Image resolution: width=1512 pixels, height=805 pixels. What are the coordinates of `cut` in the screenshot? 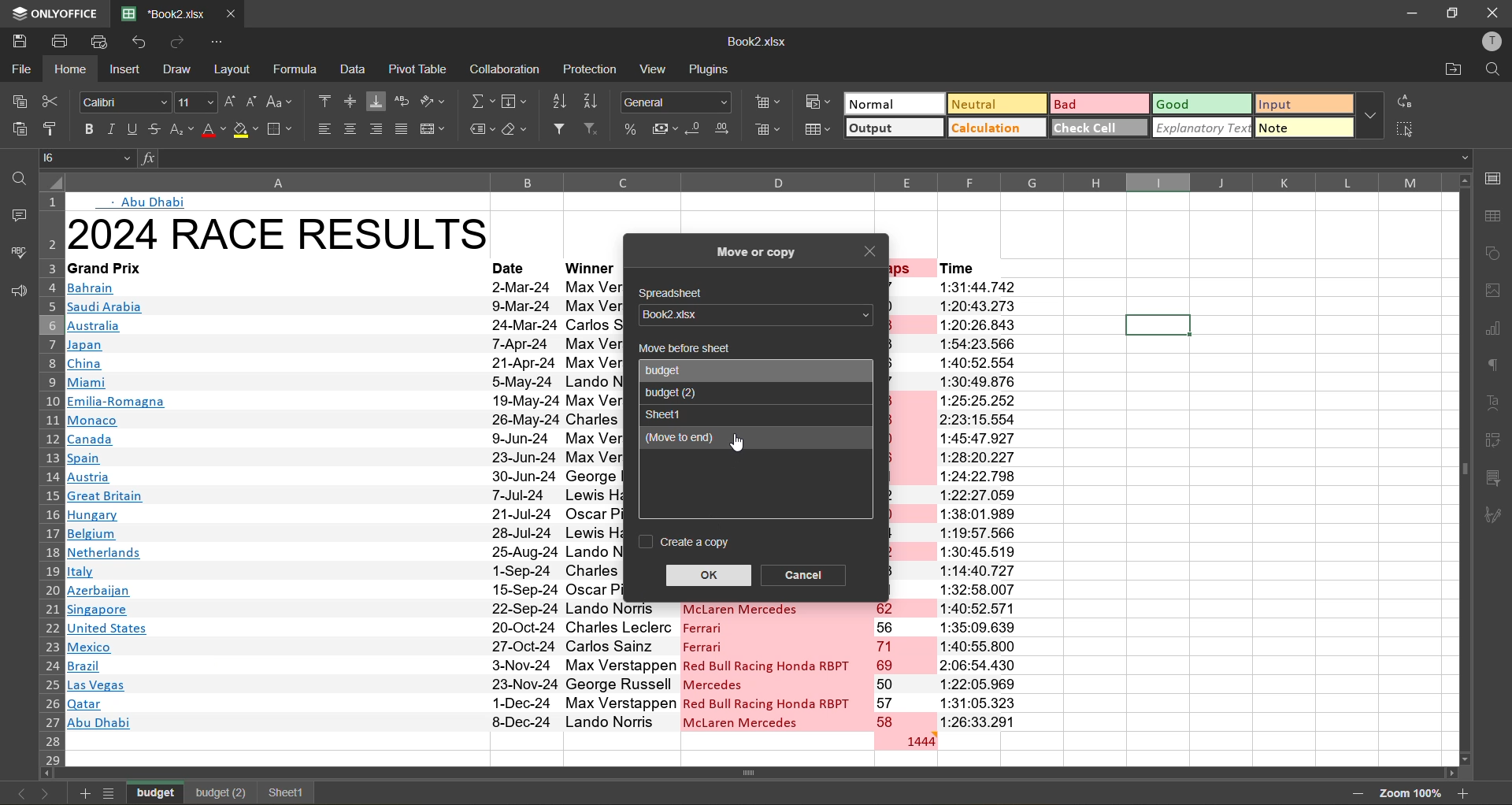 It's located at (52, 101).